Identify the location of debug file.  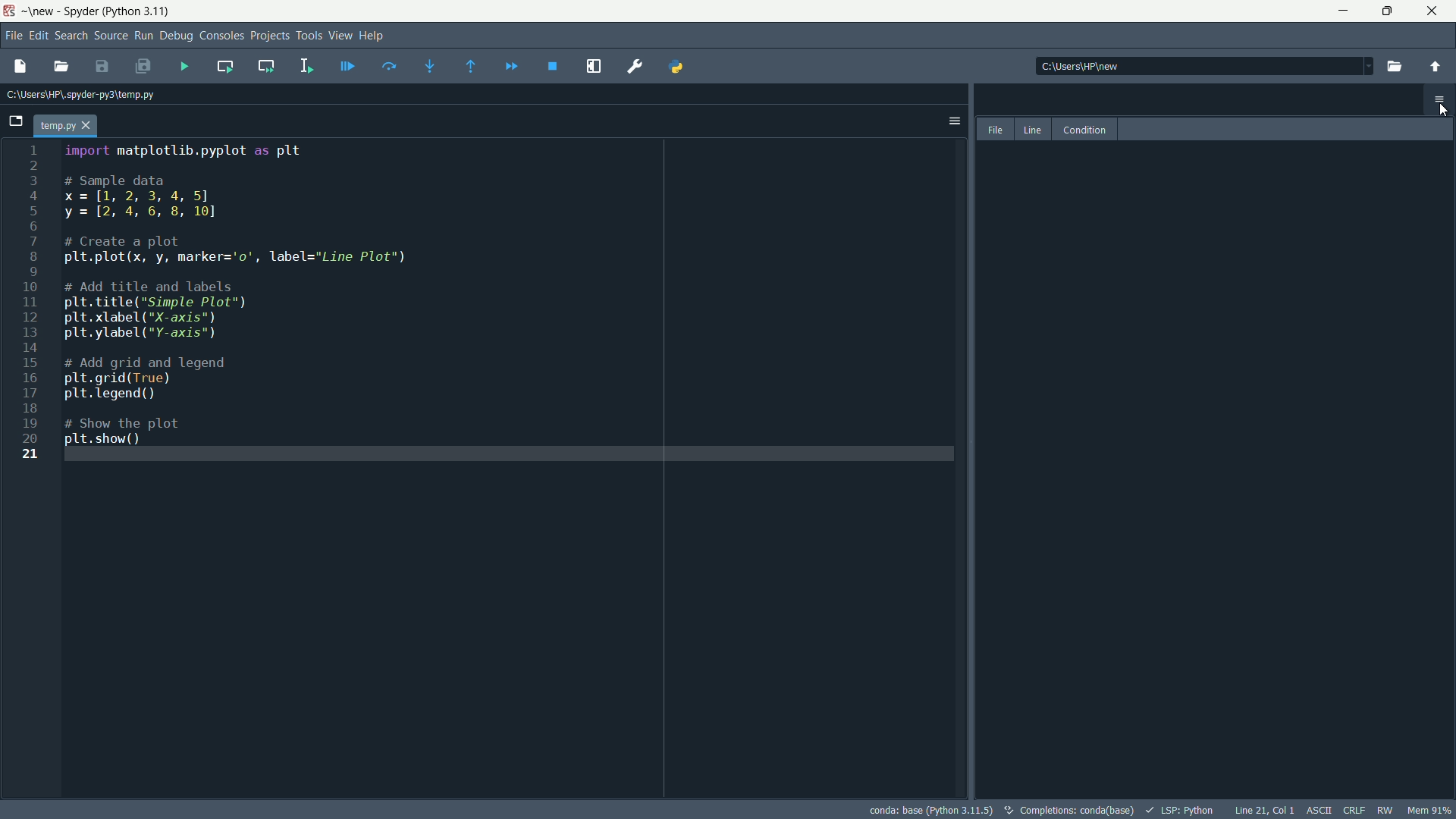
(348, 64).